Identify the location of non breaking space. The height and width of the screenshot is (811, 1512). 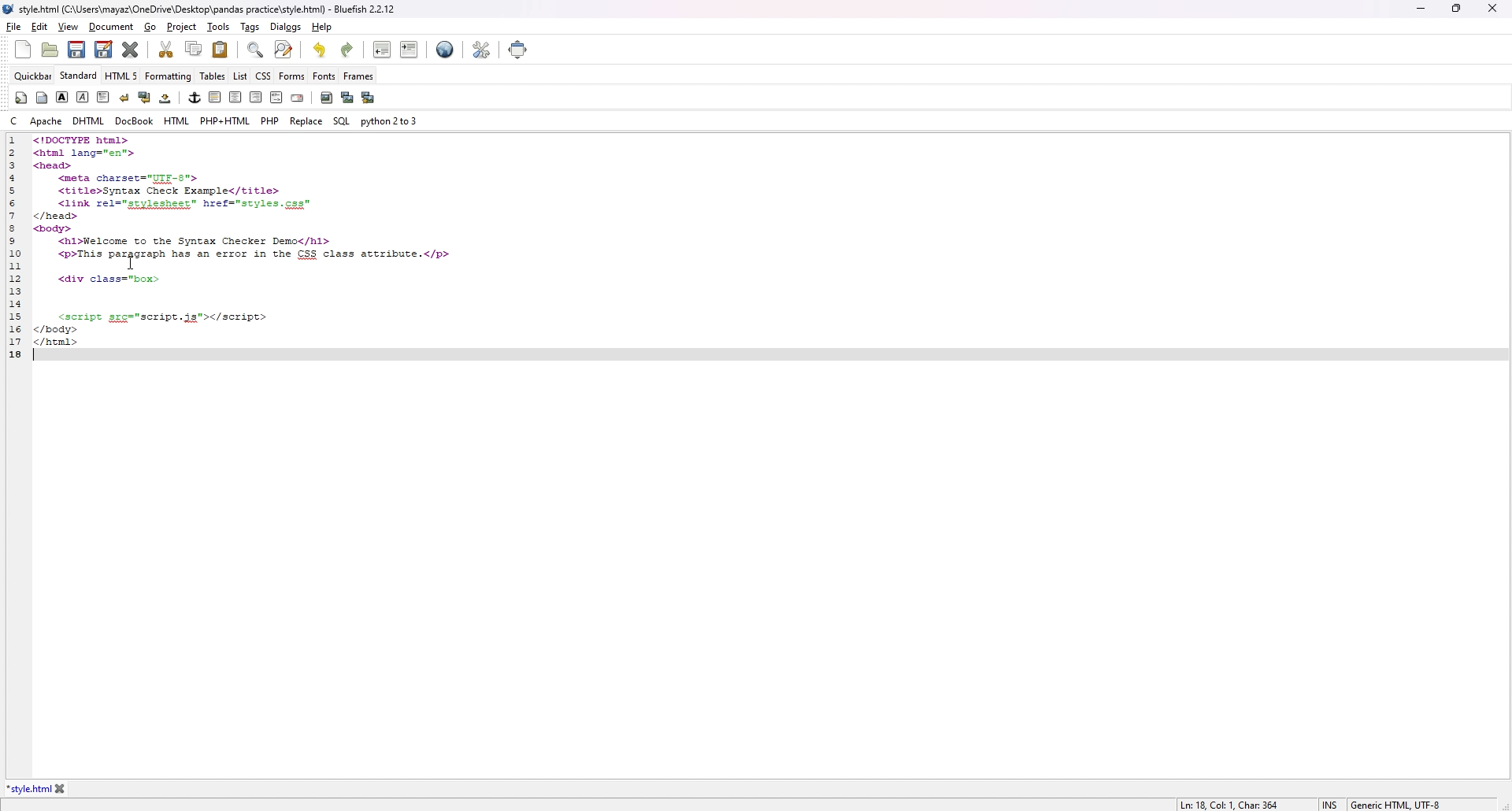
(166, 98).